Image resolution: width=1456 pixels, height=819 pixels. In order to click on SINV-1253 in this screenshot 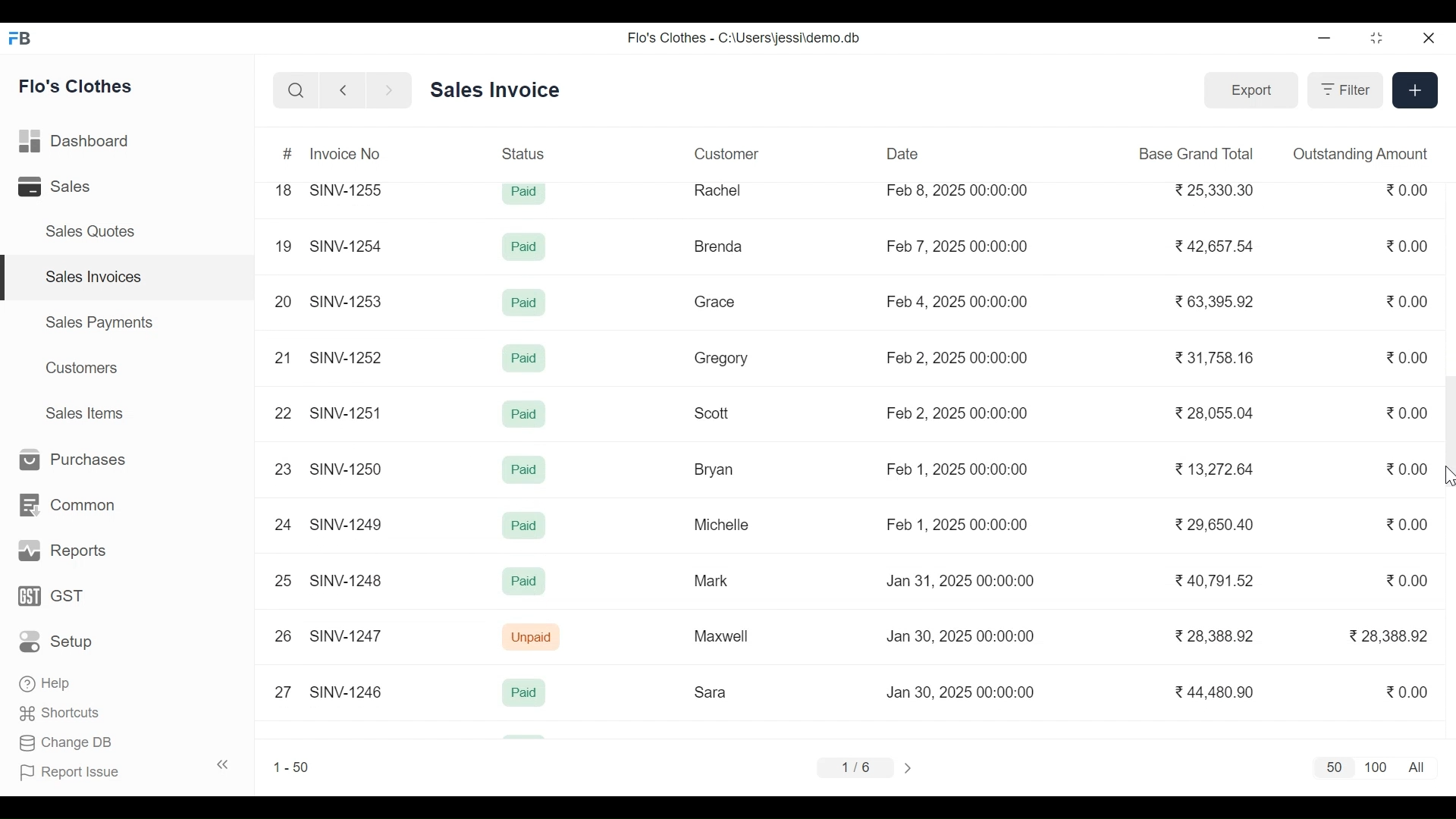, I will do `click(348, 300)`.